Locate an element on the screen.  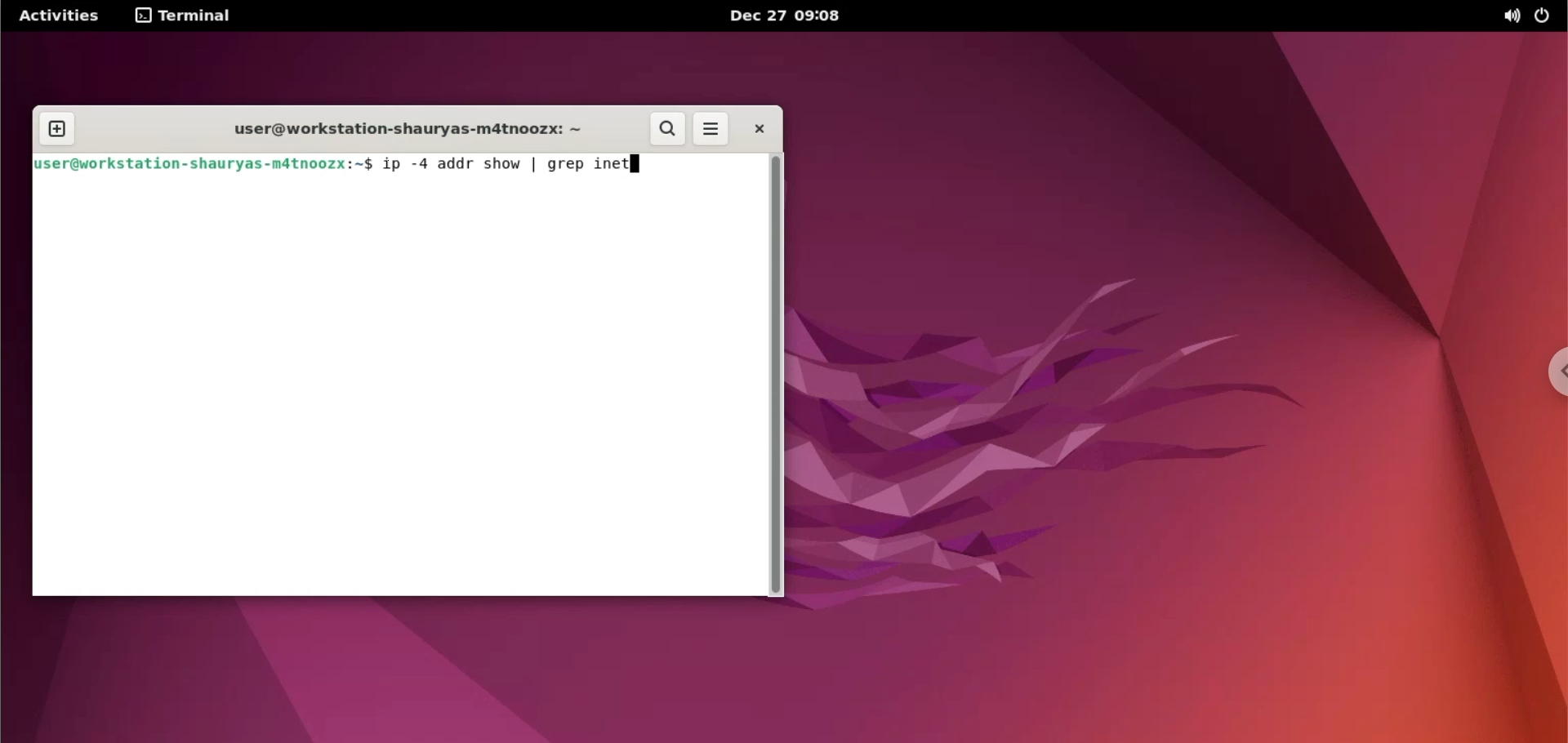
scrollbar is located at coordinates (778, 373).